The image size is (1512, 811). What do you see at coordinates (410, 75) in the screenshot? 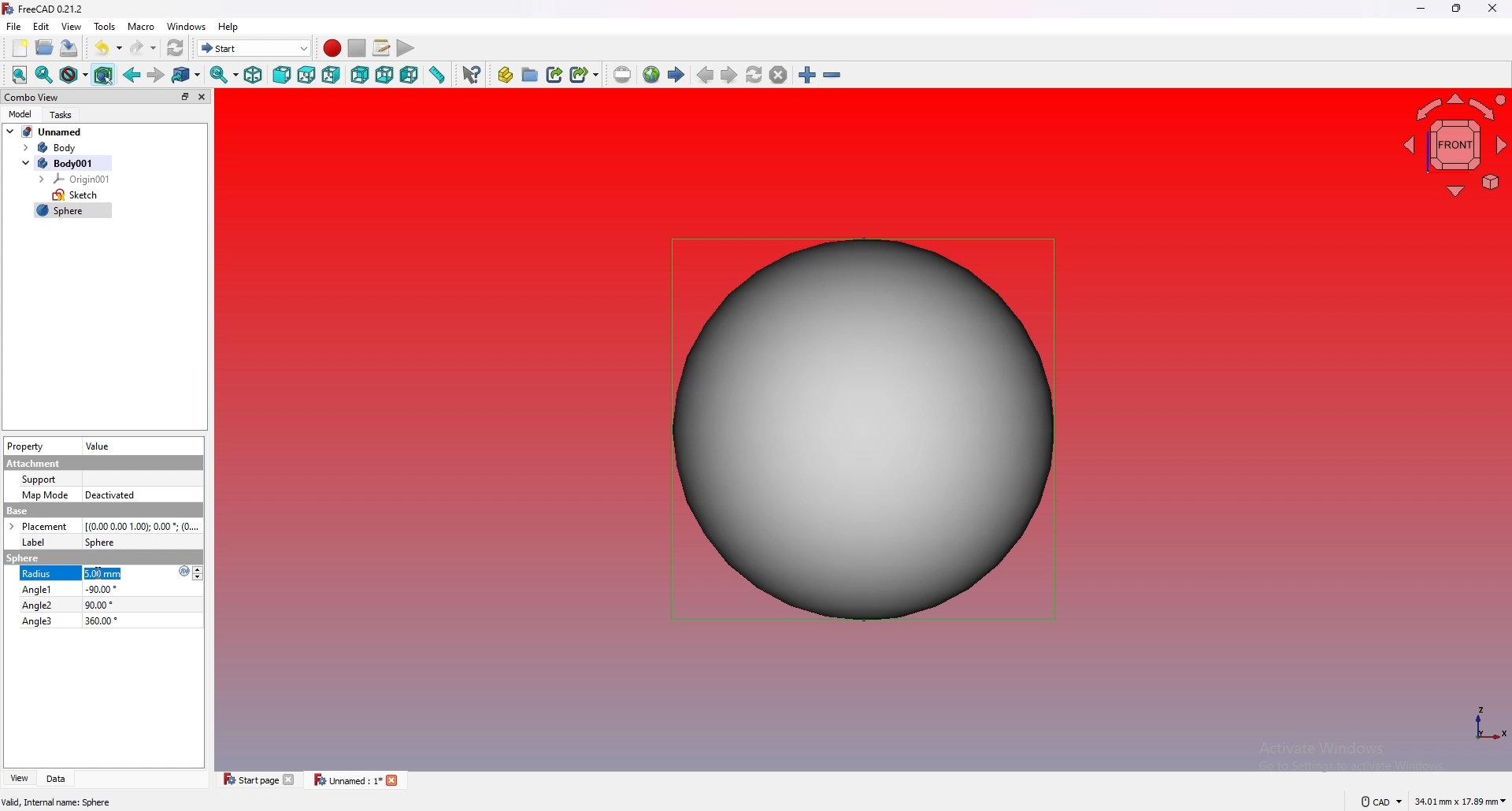
I see `left` at bounding box center [410, 75].